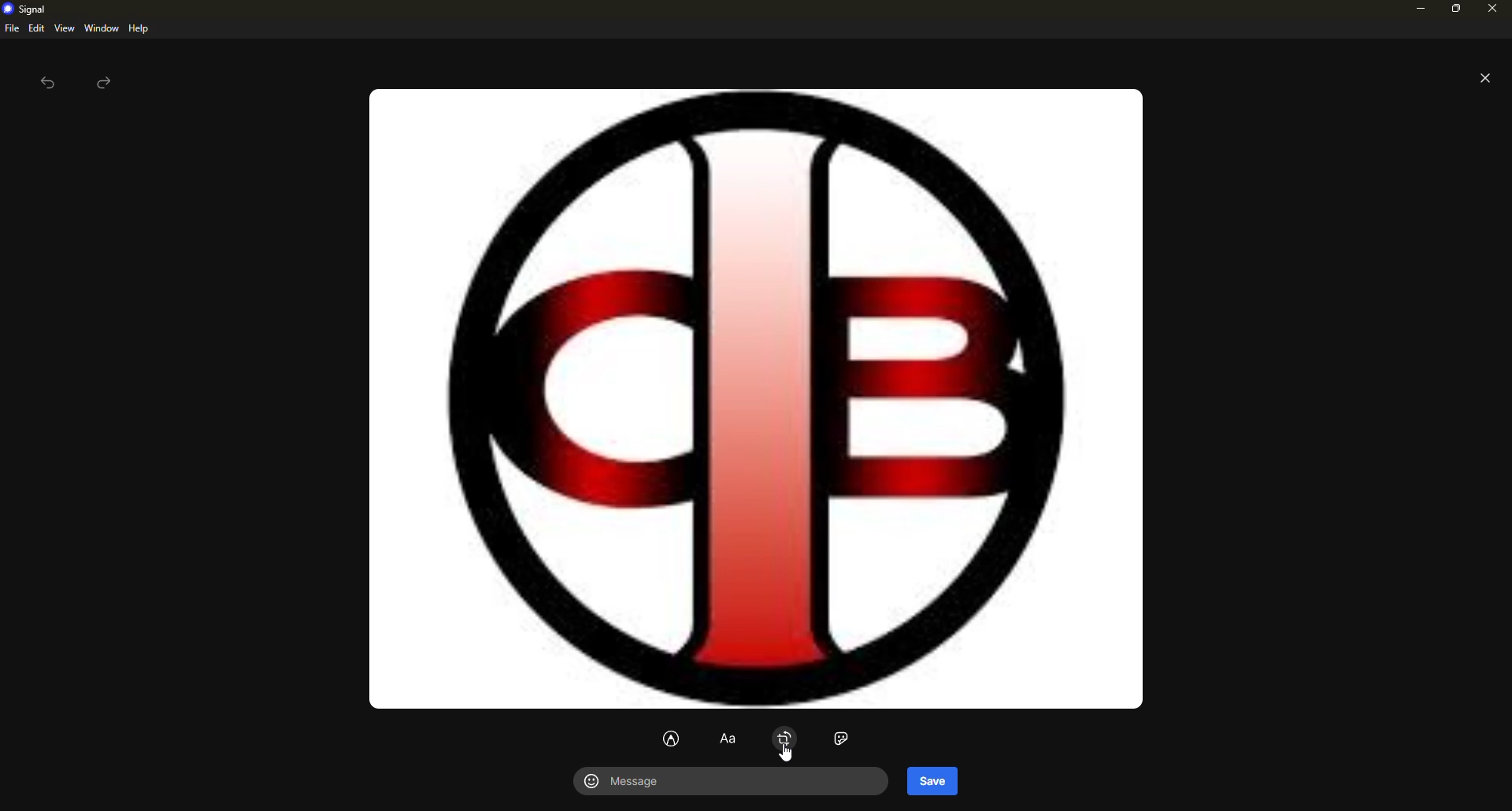  Describe the element at coordinates (10, 29) in the screenshot. I see `file` at that location.